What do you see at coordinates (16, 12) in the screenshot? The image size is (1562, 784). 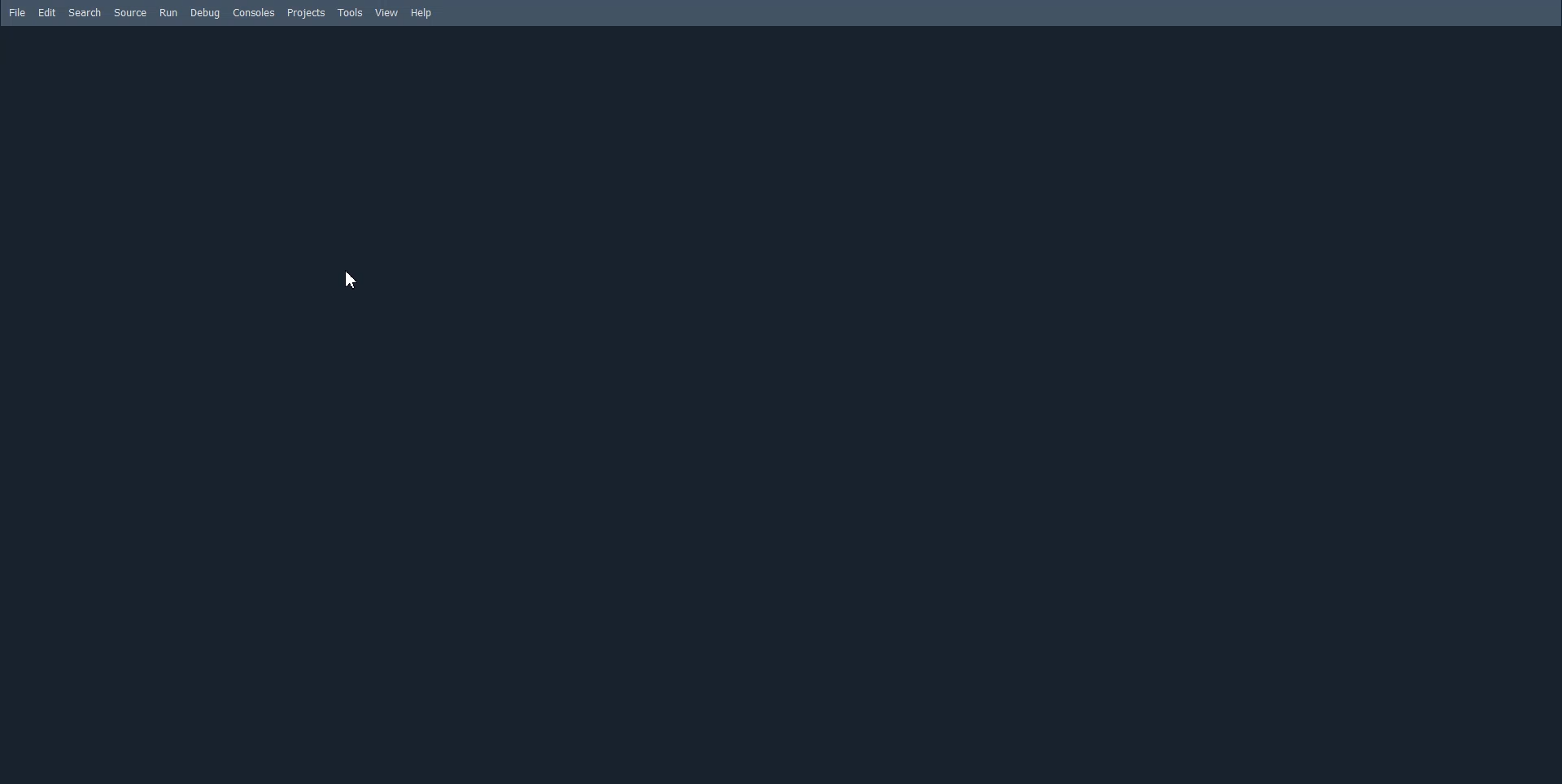 I see `File` at bounding box center [16, 12].